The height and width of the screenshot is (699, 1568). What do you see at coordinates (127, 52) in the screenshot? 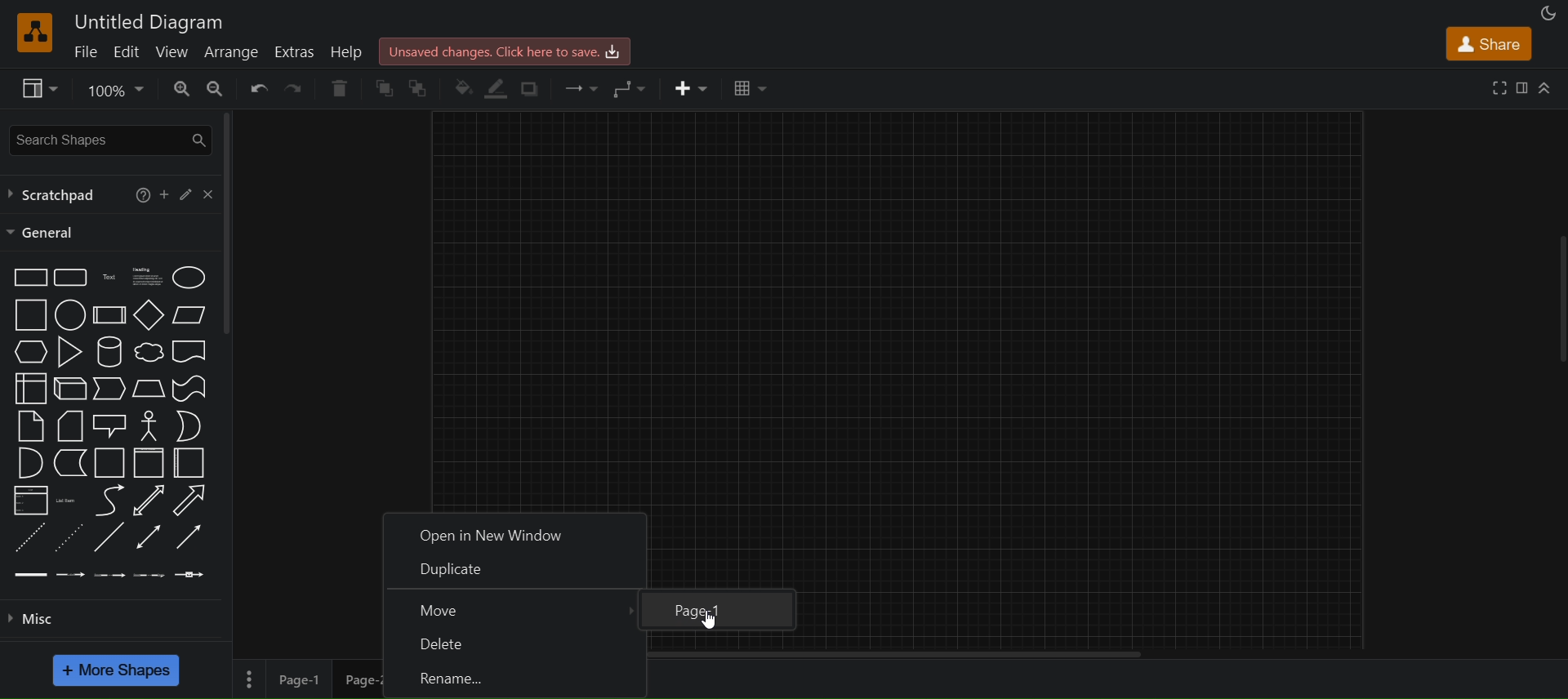
I see `edit` at bounding box center [127, 52].